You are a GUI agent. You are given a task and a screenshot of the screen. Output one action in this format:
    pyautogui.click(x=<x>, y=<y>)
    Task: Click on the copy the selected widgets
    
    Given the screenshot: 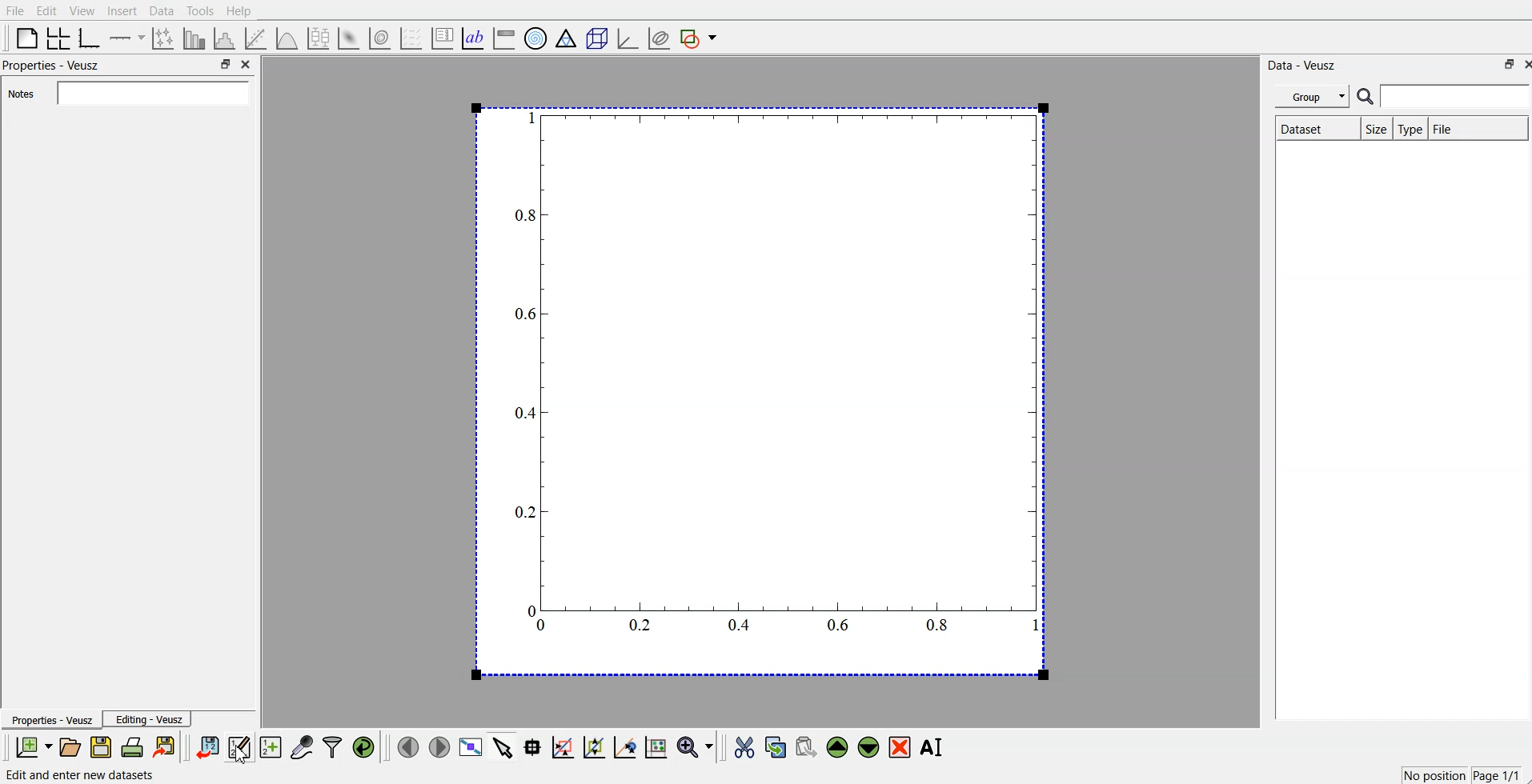 What is the action you would take?
    pyautogui.click(x=776, y=748)
    